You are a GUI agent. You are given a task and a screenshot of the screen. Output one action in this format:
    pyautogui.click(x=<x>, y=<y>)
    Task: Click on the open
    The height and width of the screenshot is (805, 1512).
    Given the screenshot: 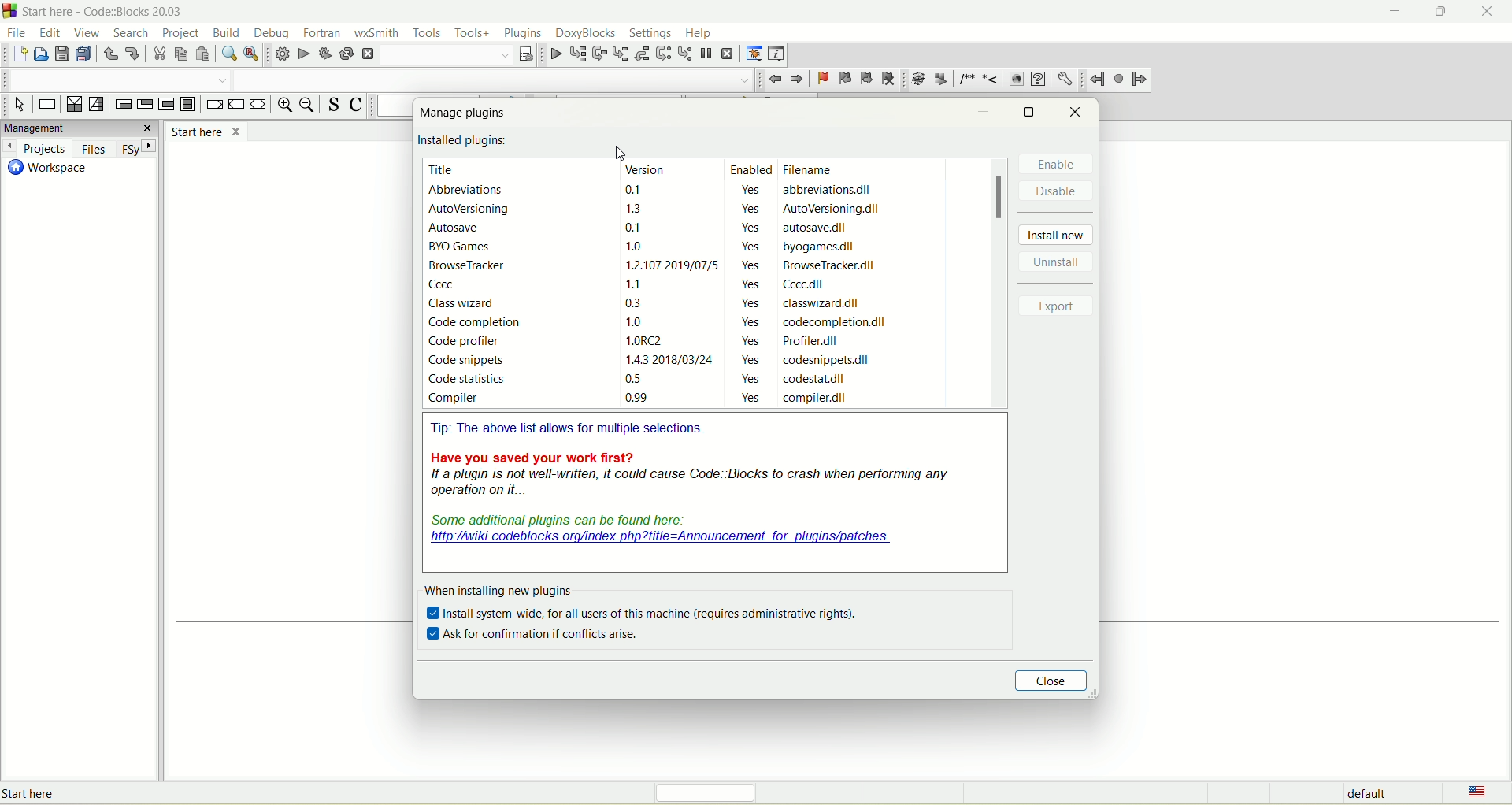 What is the action you would take?
    pyautogui.click(x=39, y=57)
    